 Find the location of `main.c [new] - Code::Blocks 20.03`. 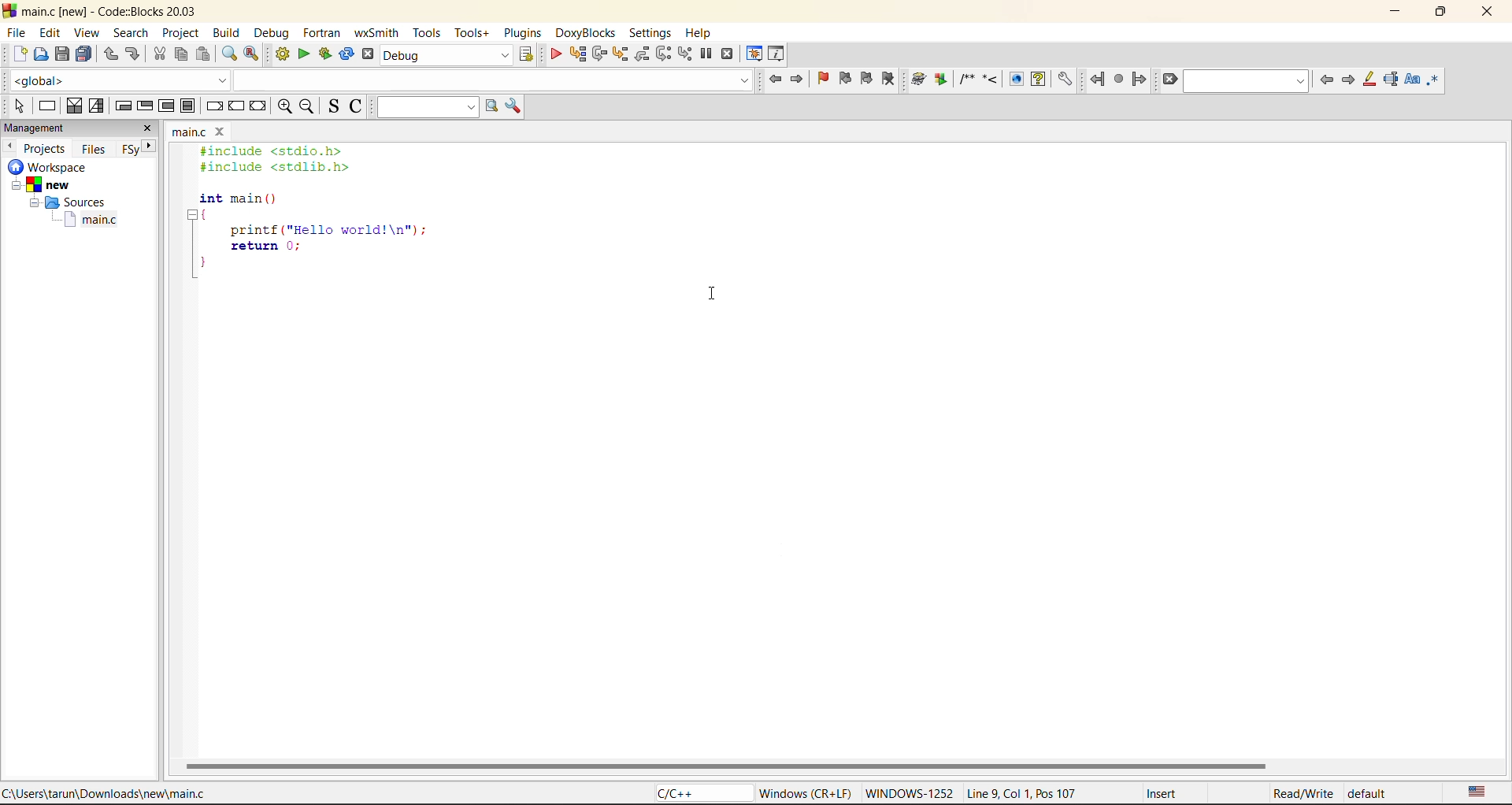

main.c [new] - Code::Blocks 20.03 is located at coordinates (126, 12).